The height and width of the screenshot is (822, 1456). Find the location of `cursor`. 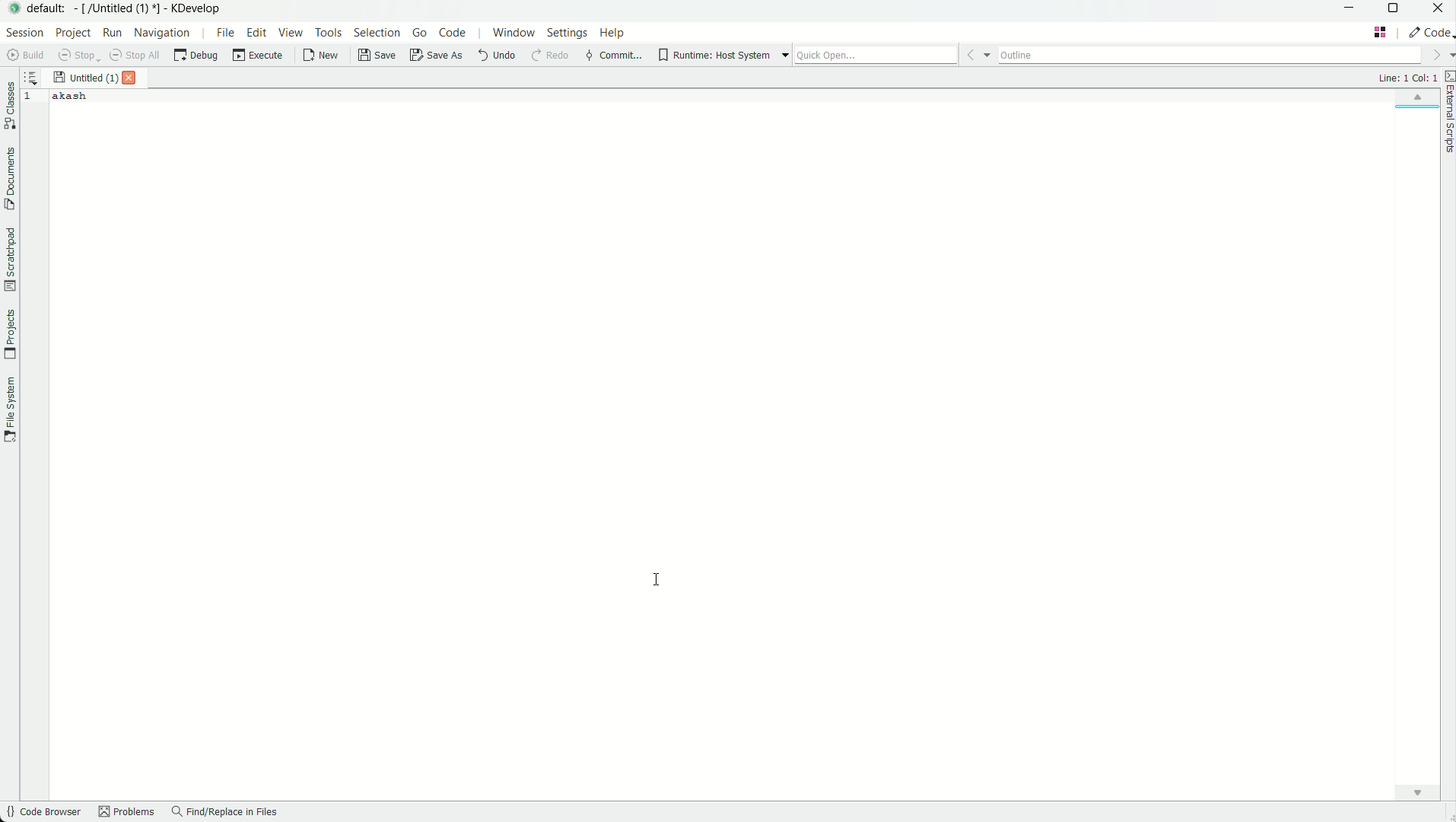

cursor is located at coordinates (660, 580).